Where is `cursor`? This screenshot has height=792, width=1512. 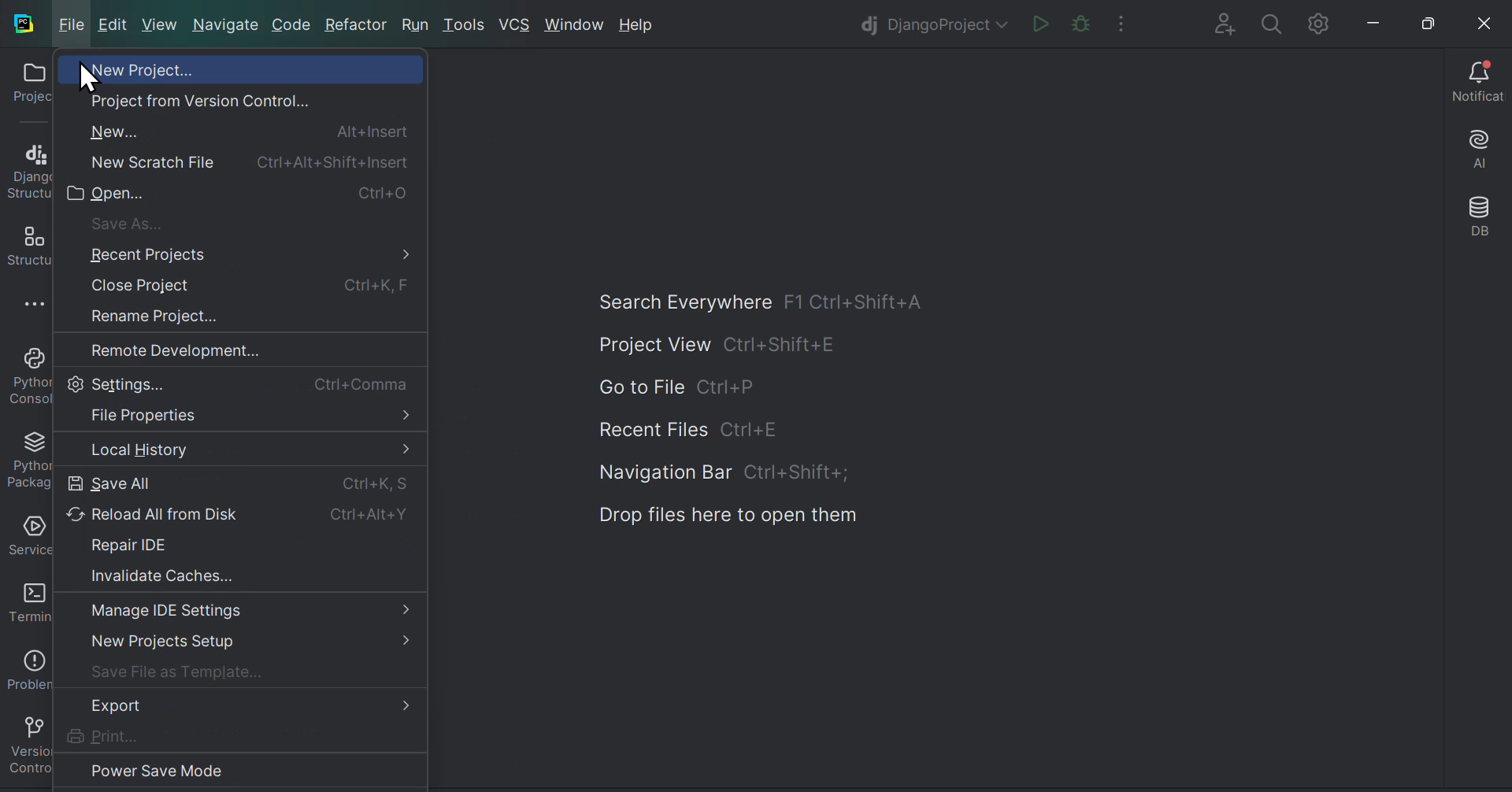
cursor is located at coordinates (88, 77).